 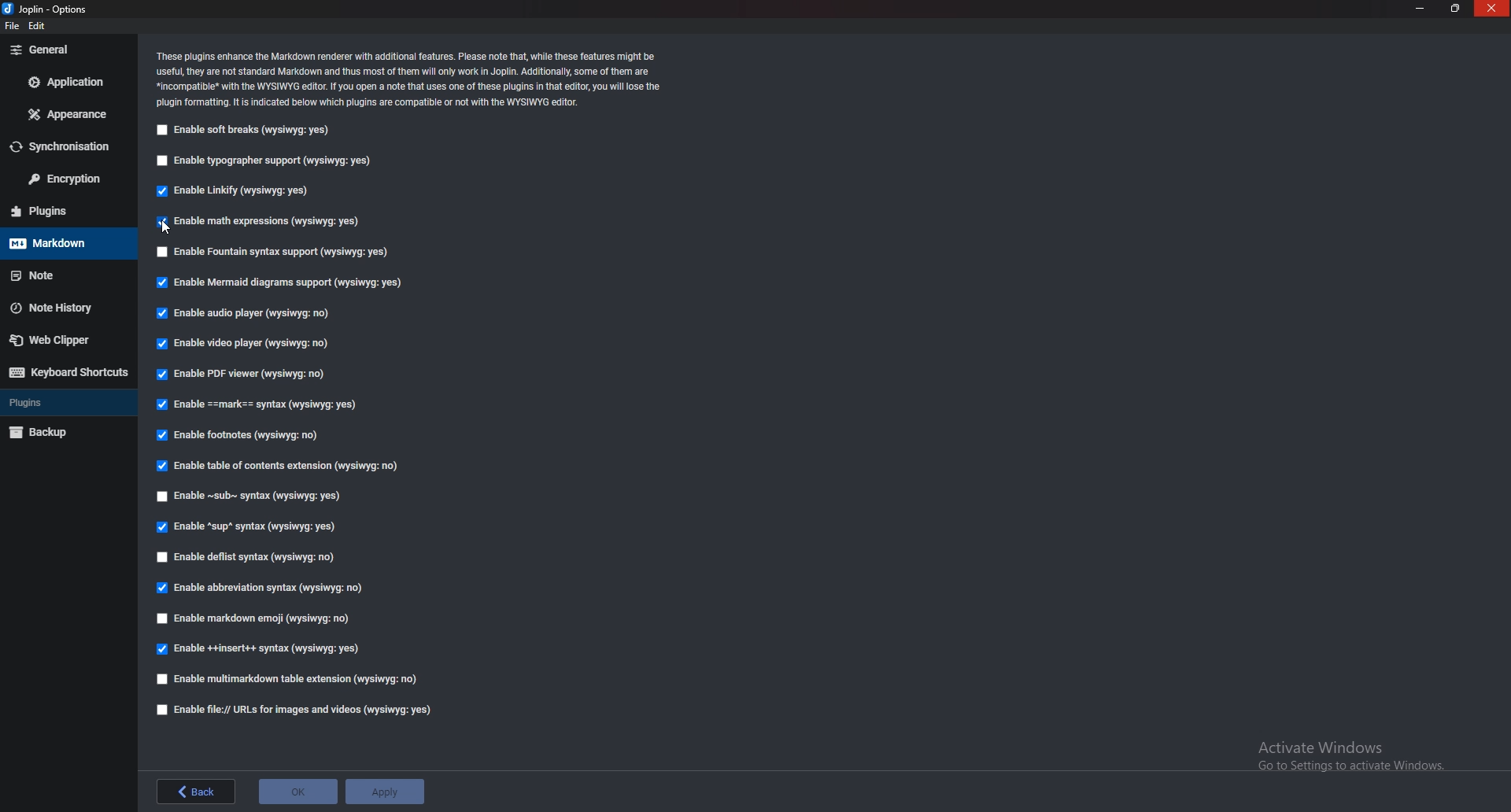 What do you see at coordinates (254, 620) in the screenshot?
I see `enable markdown Emoji` at bounding box center [254, 620].